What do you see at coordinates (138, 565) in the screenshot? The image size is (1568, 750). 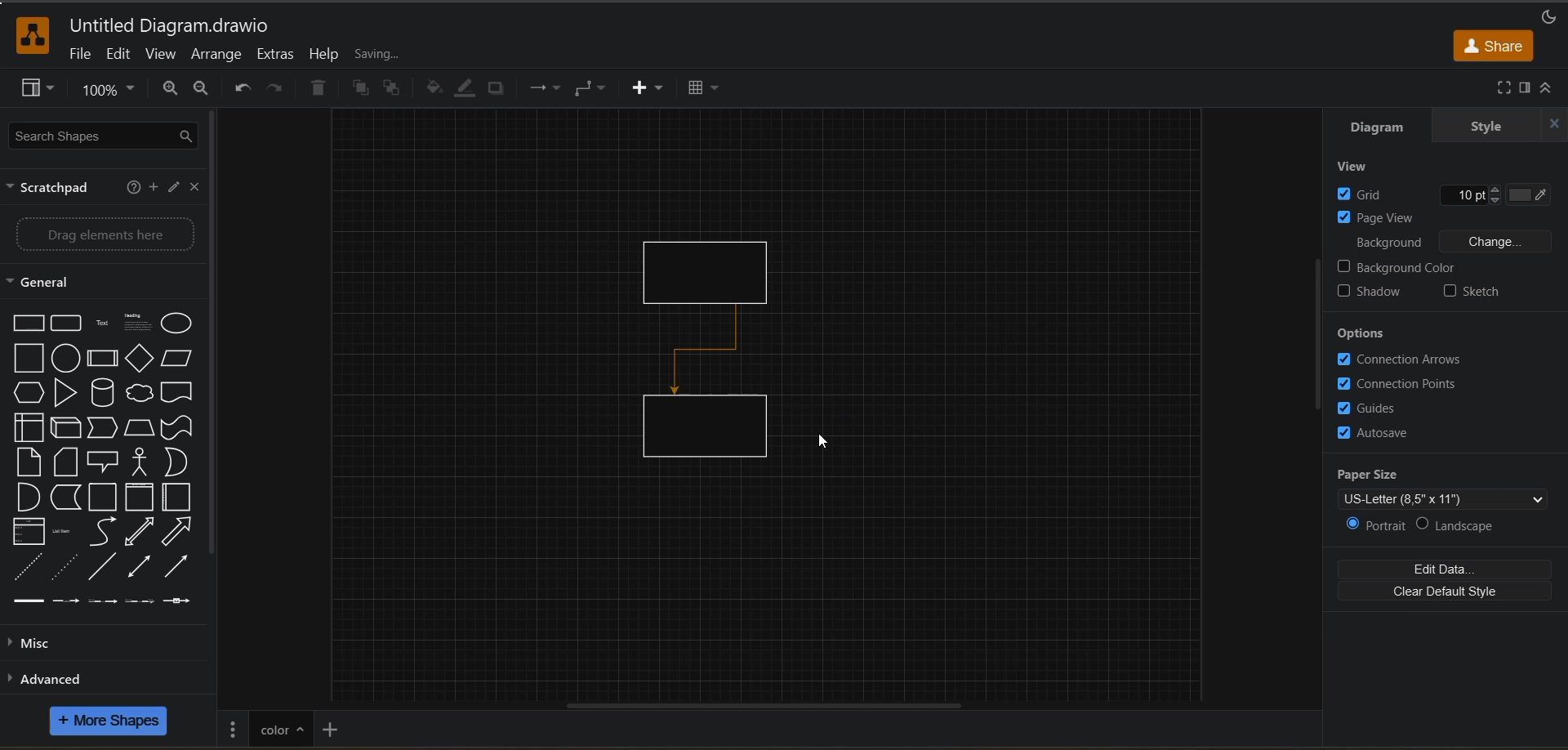 I see `Bidirectional Arrow` at bounding box center [138, 565].